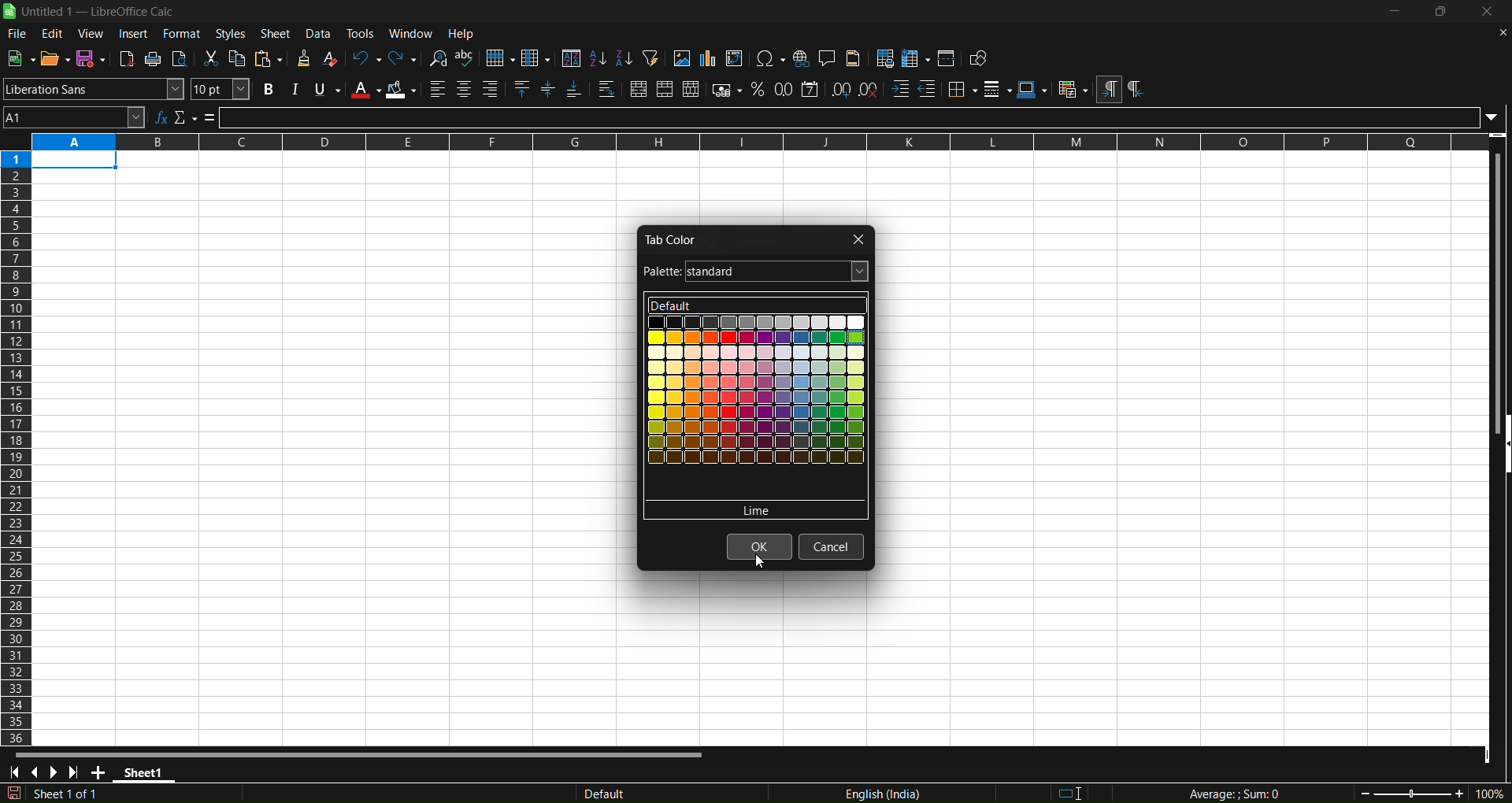  What do you see at coordinates (360, 753) in the screenshot?
I see `horizontal scroll bar` at bounding box center [360, 753].